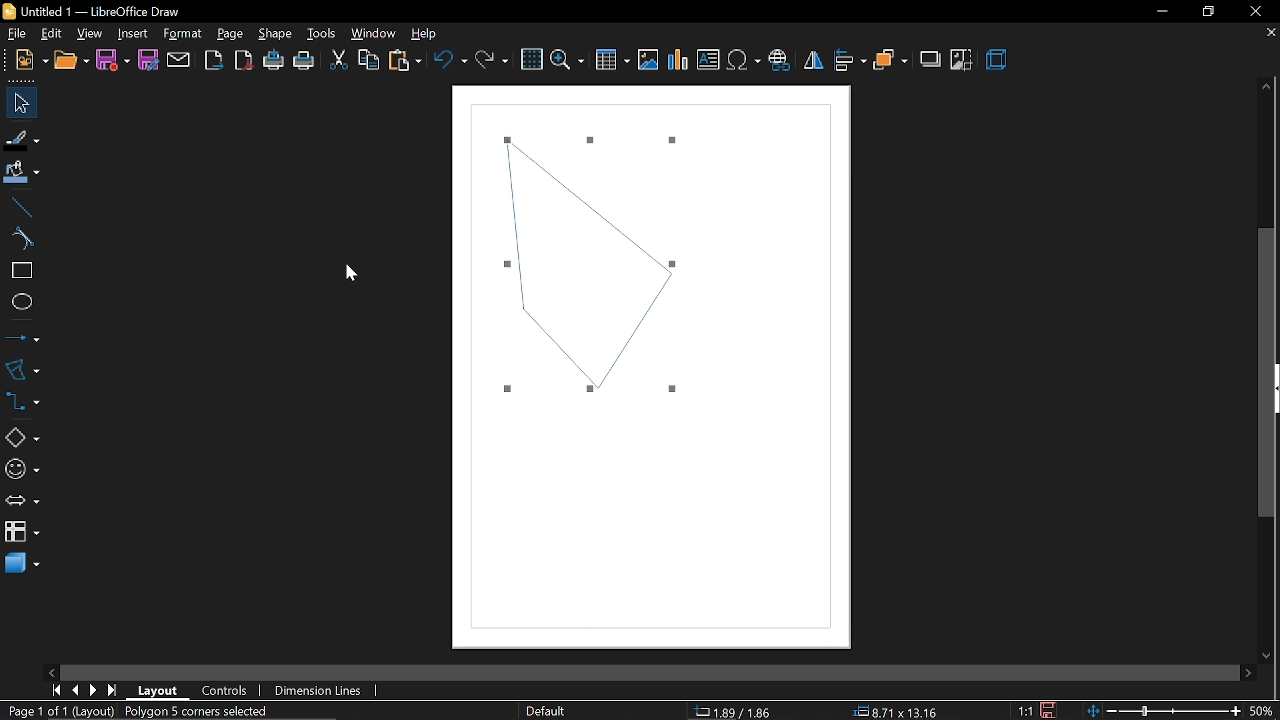  Describe the element at coordinates (275, 61) in the screenshot. I see `print directly` at that location.